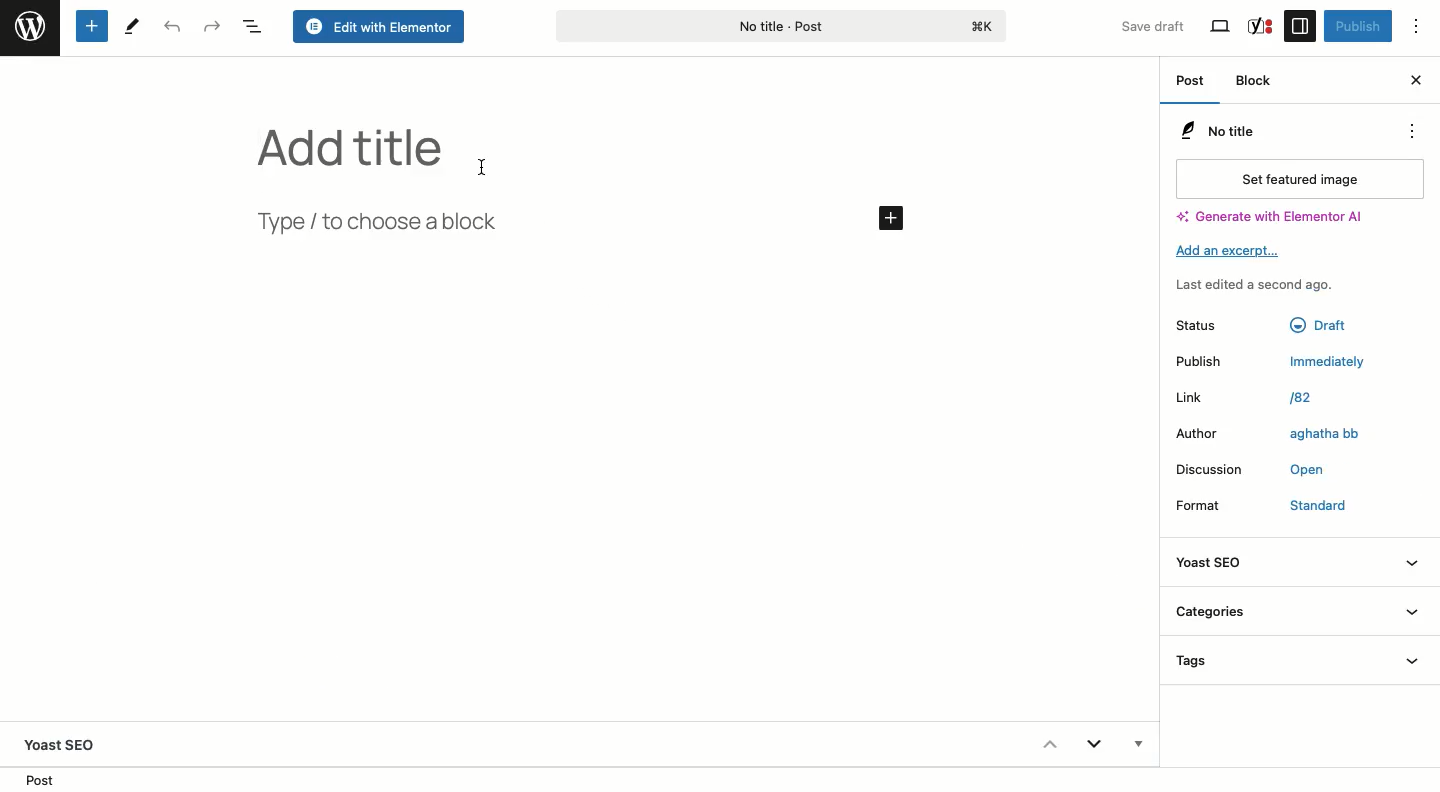 The width and height of the screenshot is (1440, 792). What do you see at coordinates (1201, 360) in the screenshot?
I see `Publish Immediately` at bounding box center [1201, 360].